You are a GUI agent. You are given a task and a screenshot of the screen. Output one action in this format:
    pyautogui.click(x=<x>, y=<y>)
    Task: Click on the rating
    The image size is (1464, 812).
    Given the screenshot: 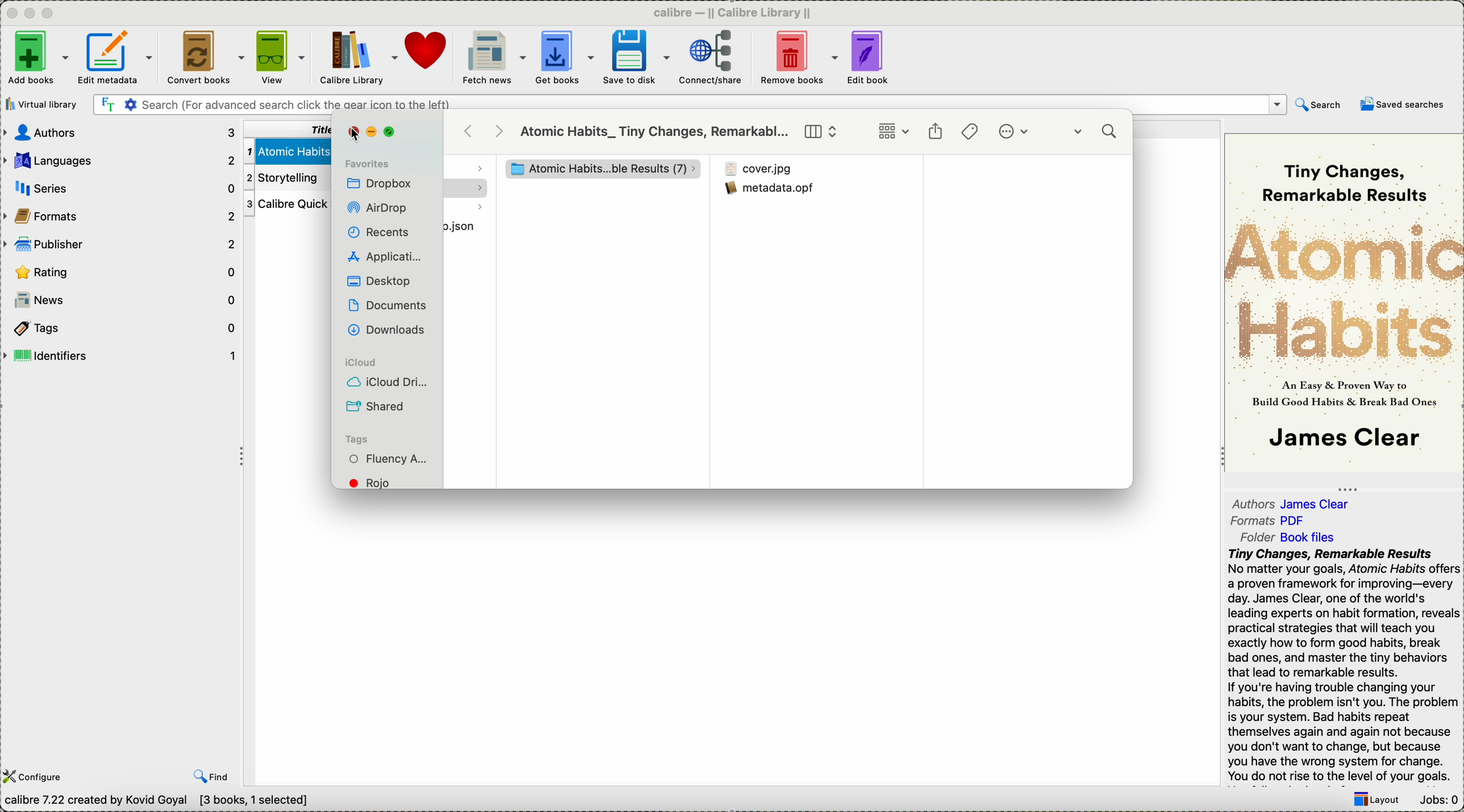 What is the action you would take?
    pyautogui.click(x=123, y=272)
    